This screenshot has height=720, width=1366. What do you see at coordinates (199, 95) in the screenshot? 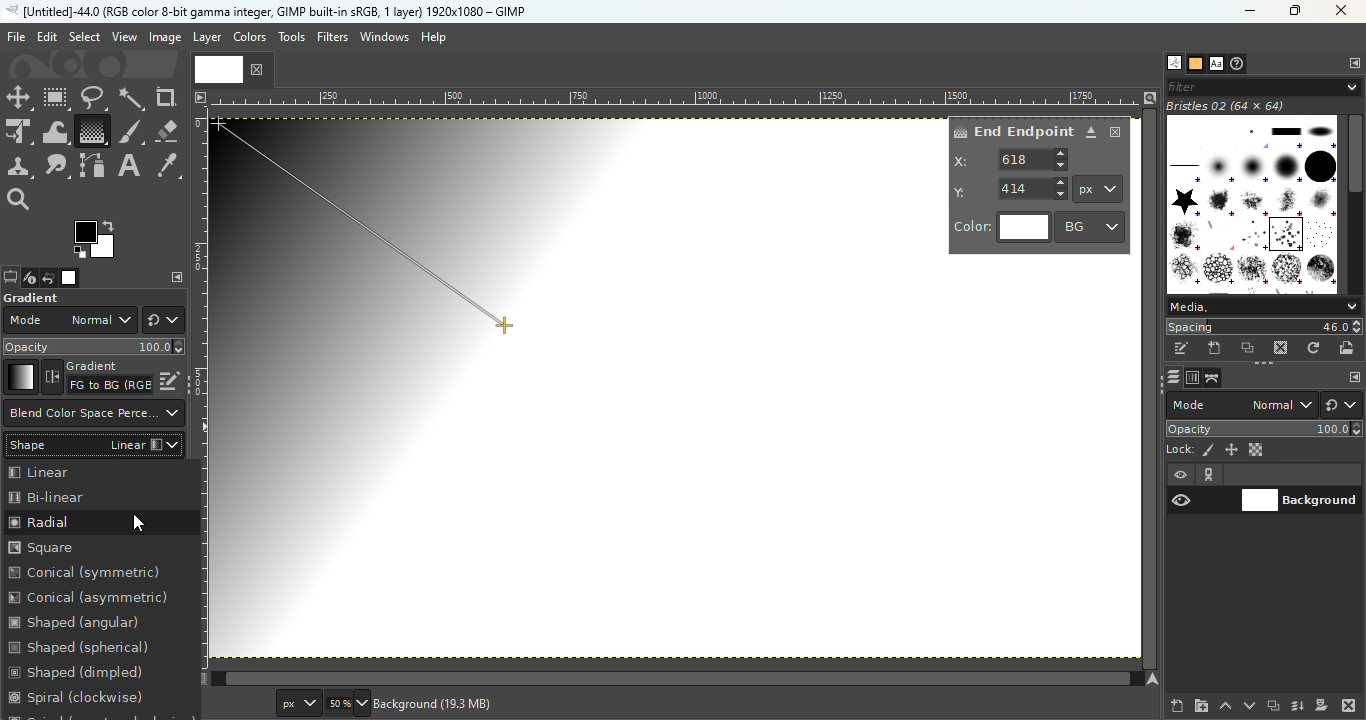
I see `Access the image menu` at bounding box center [199, 95].